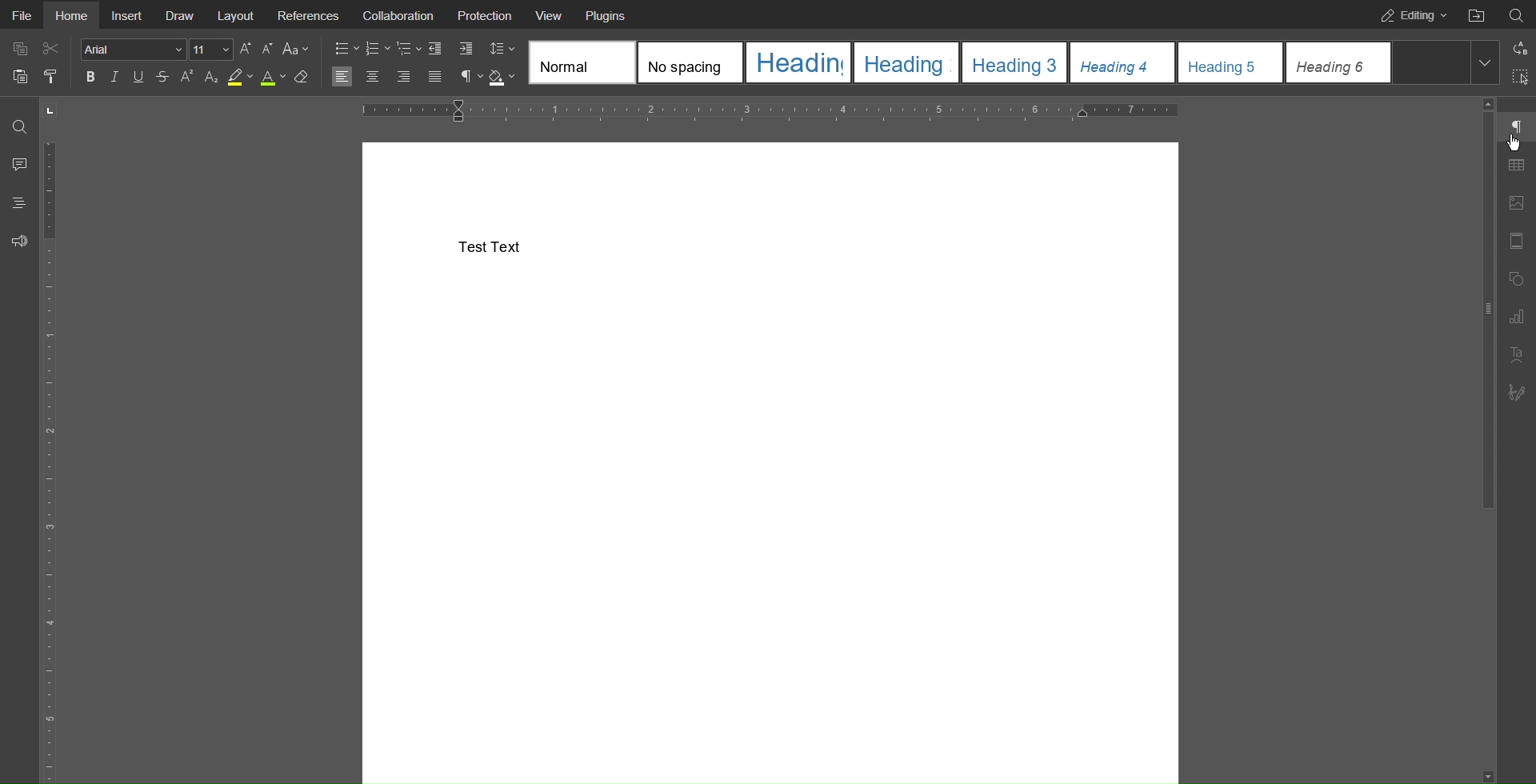  What do you see at coordinates (607, 14) in the screenshot?
I see `Plugins` at bounding box center [607, 14].